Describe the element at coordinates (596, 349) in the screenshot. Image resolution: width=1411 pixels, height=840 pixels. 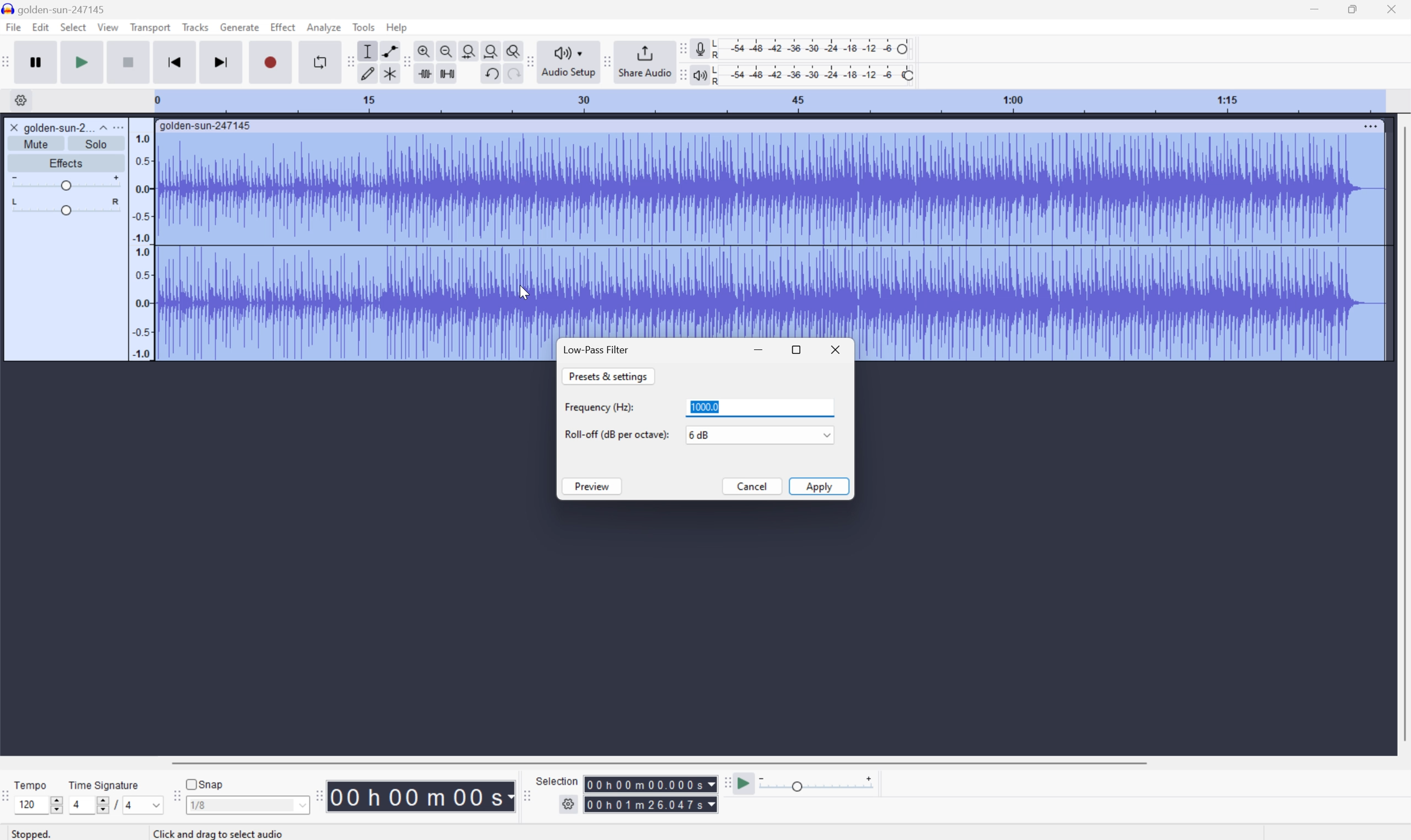
I see `Low-pass filter` at that location.